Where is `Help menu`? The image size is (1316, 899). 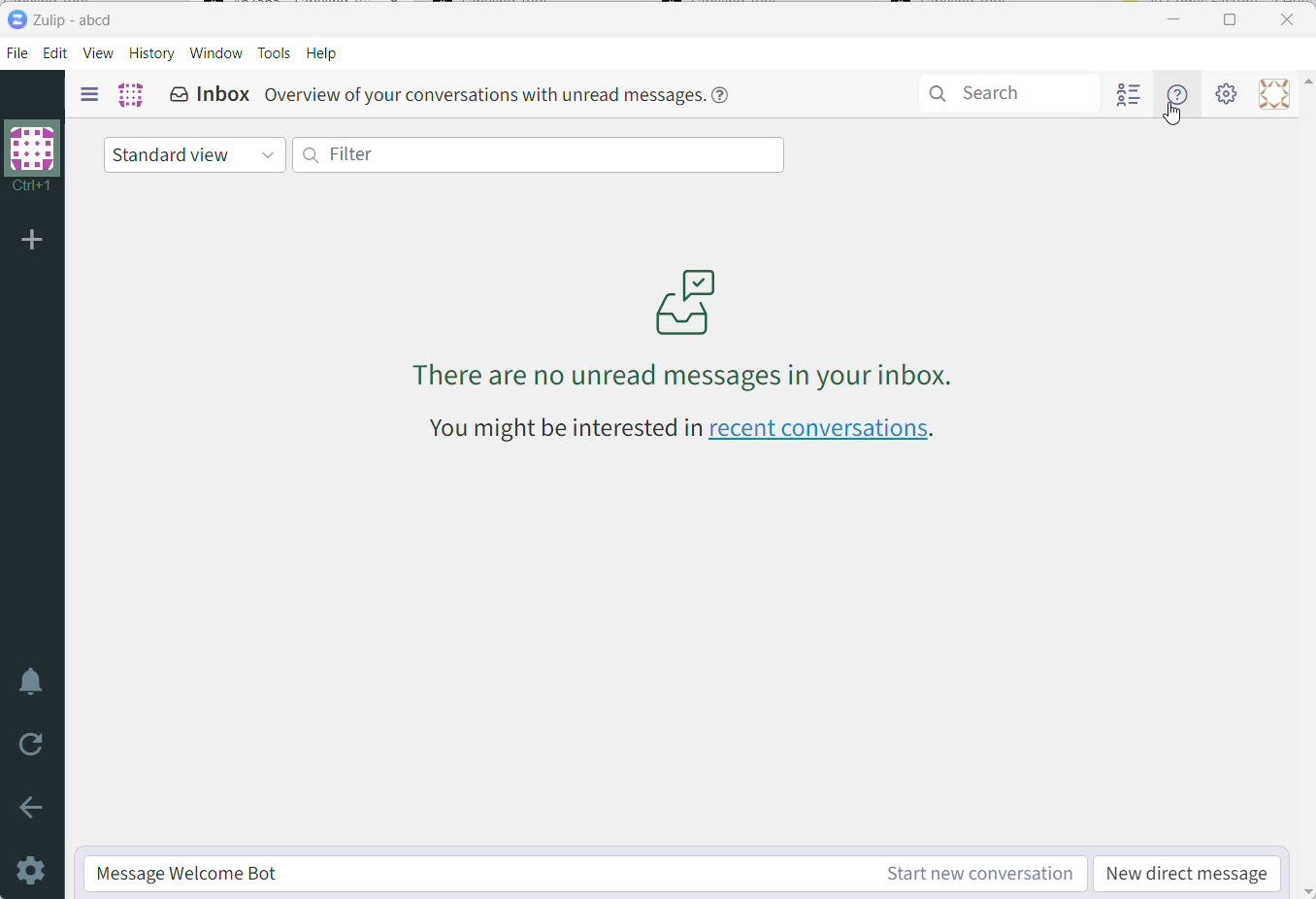 Help menu is located at coordinates (1176, 94).